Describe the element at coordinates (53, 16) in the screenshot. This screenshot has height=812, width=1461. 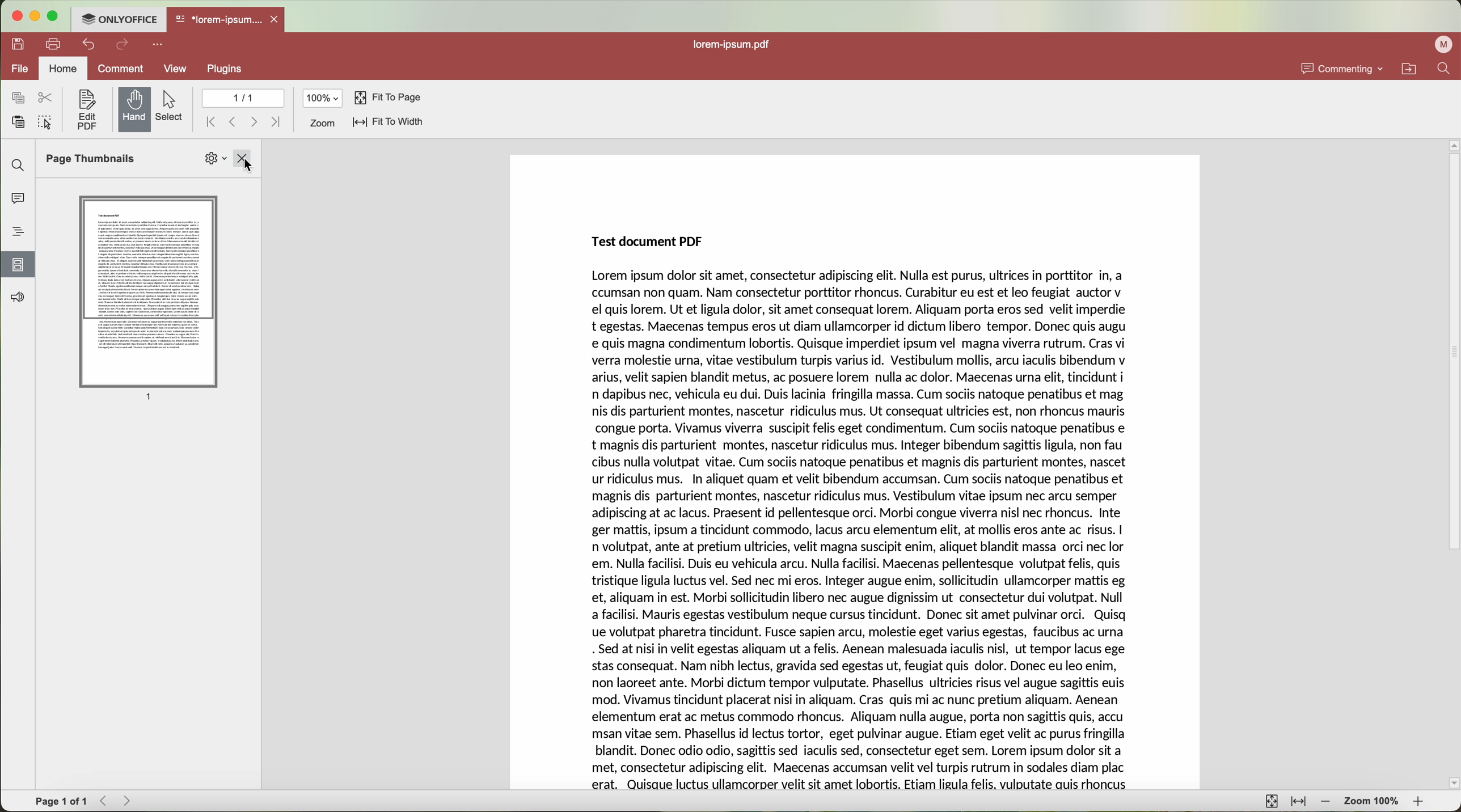
I see `maximize program` at that location.